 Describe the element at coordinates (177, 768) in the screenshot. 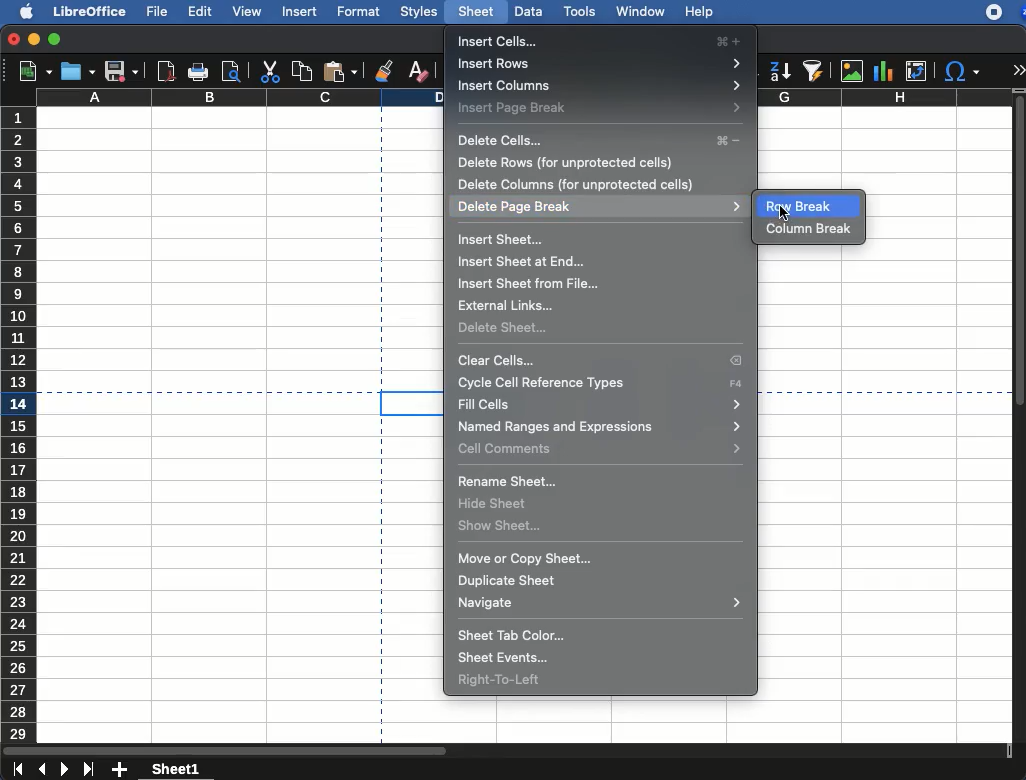

I see `sheet1` at that location.